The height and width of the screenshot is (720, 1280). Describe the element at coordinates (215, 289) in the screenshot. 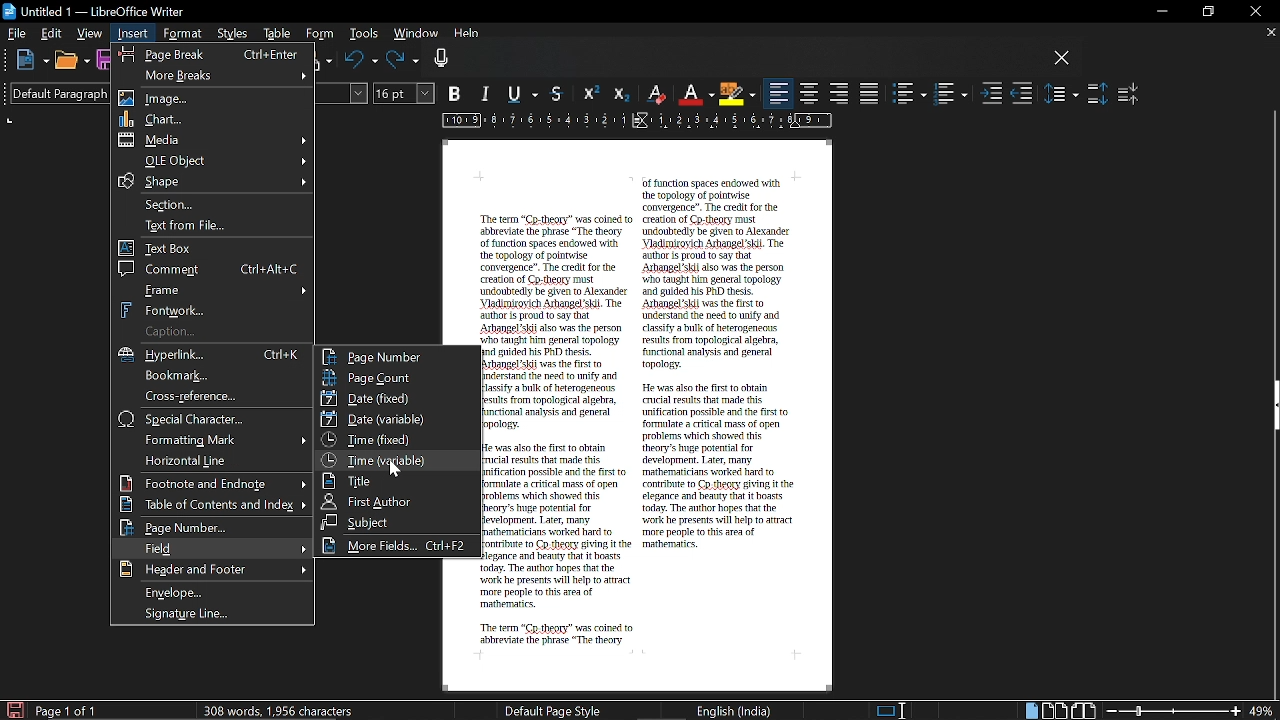

I see `Frame` at that location.